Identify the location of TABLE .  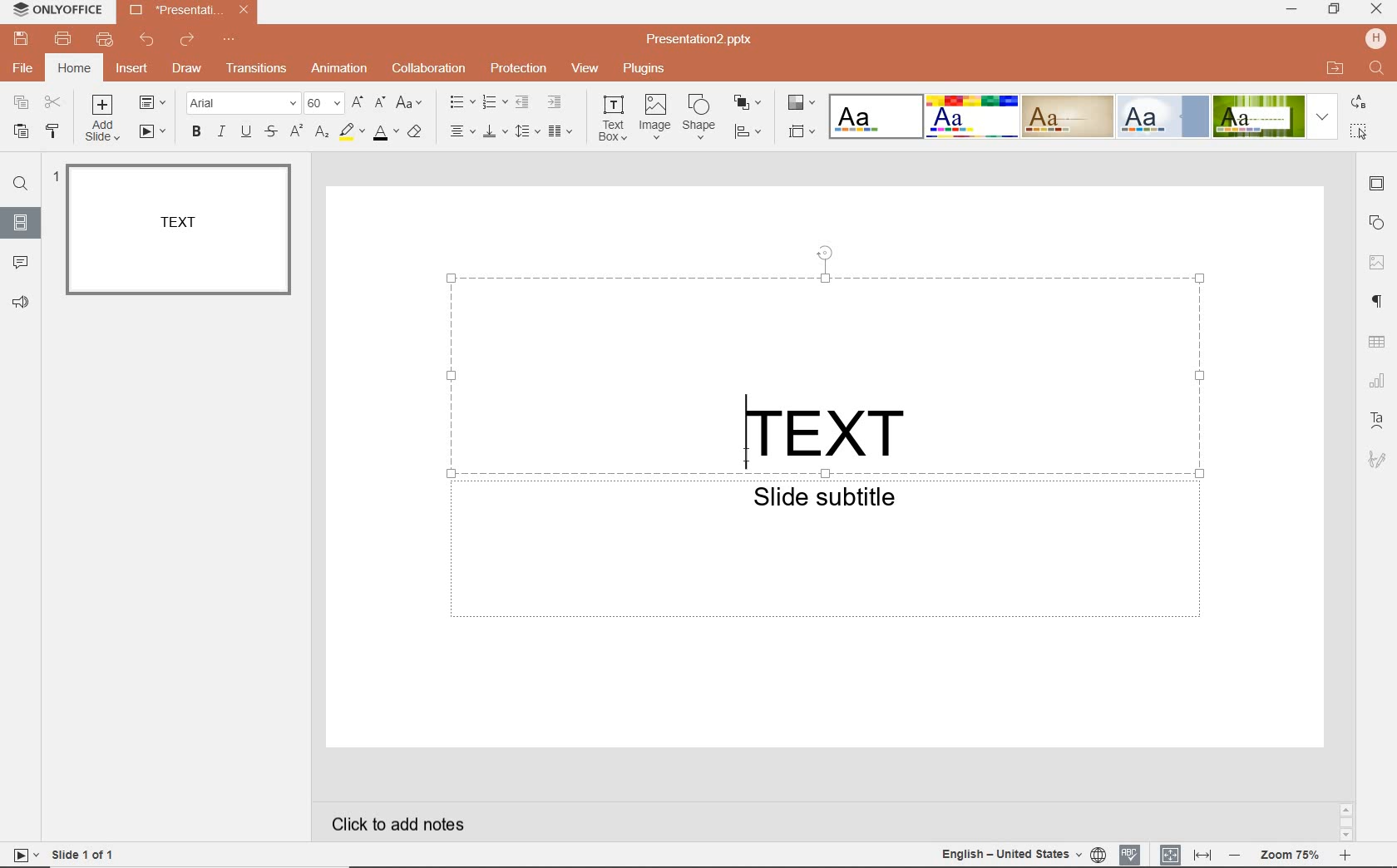
(1379, 341).